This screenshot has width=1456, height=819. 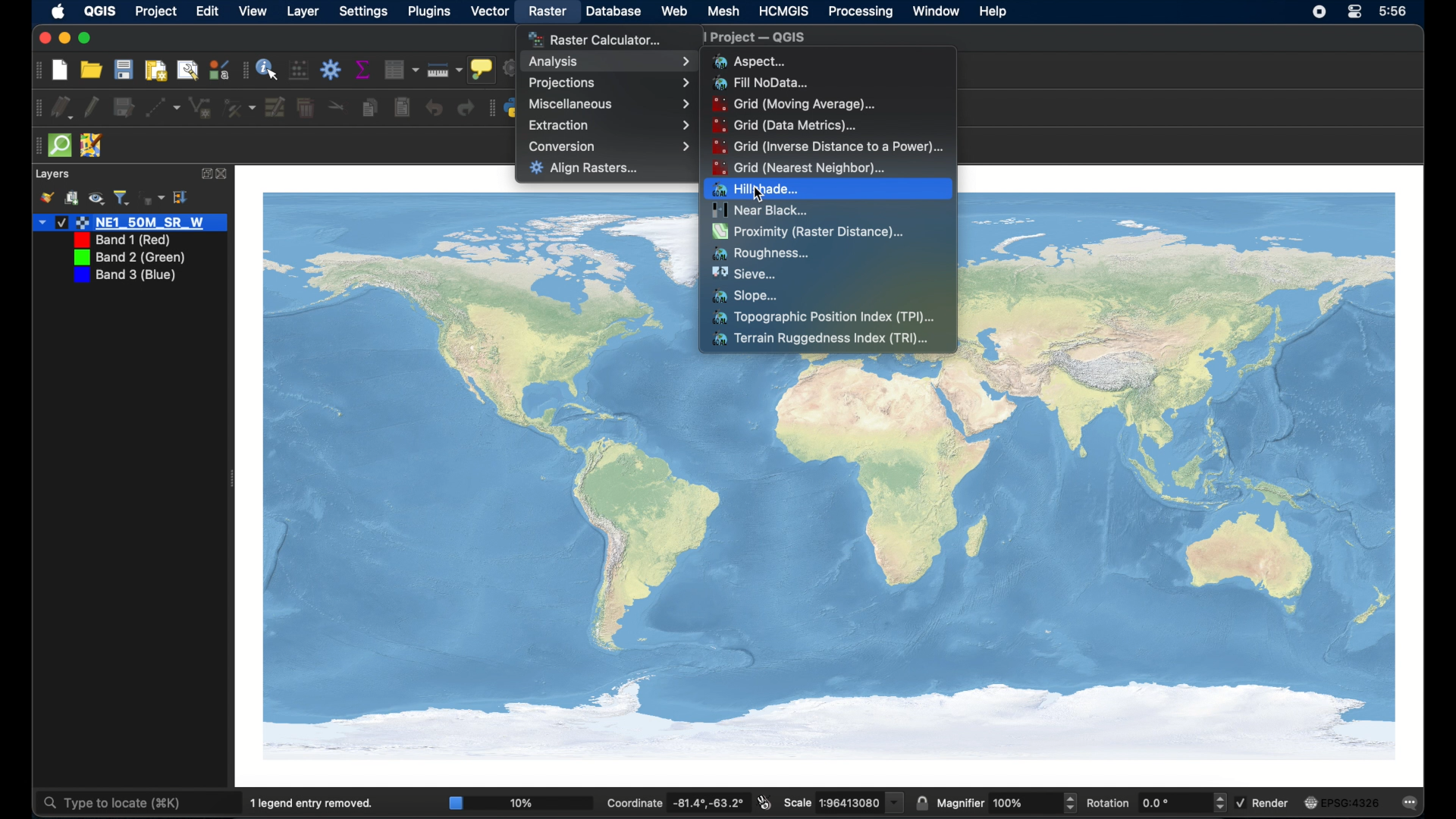 What do you see at coordinates (596, 38) in the screenshot?
I see `raster  calculator` at bounding box center [596, 38].